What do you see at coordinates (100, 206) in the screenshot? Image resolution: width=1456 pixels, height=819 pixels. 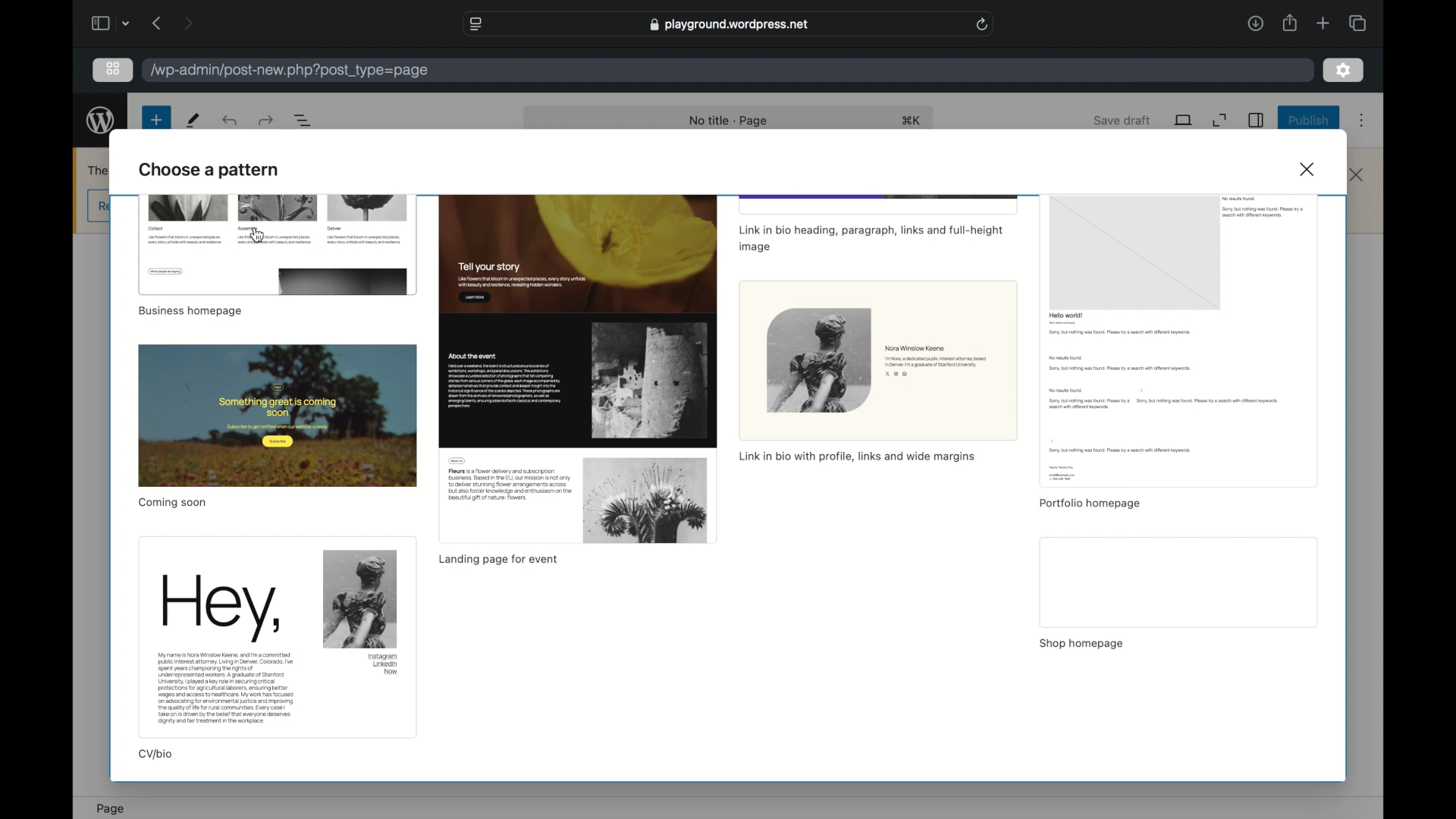 I see `obscure button` at bounding box center [100, 206].